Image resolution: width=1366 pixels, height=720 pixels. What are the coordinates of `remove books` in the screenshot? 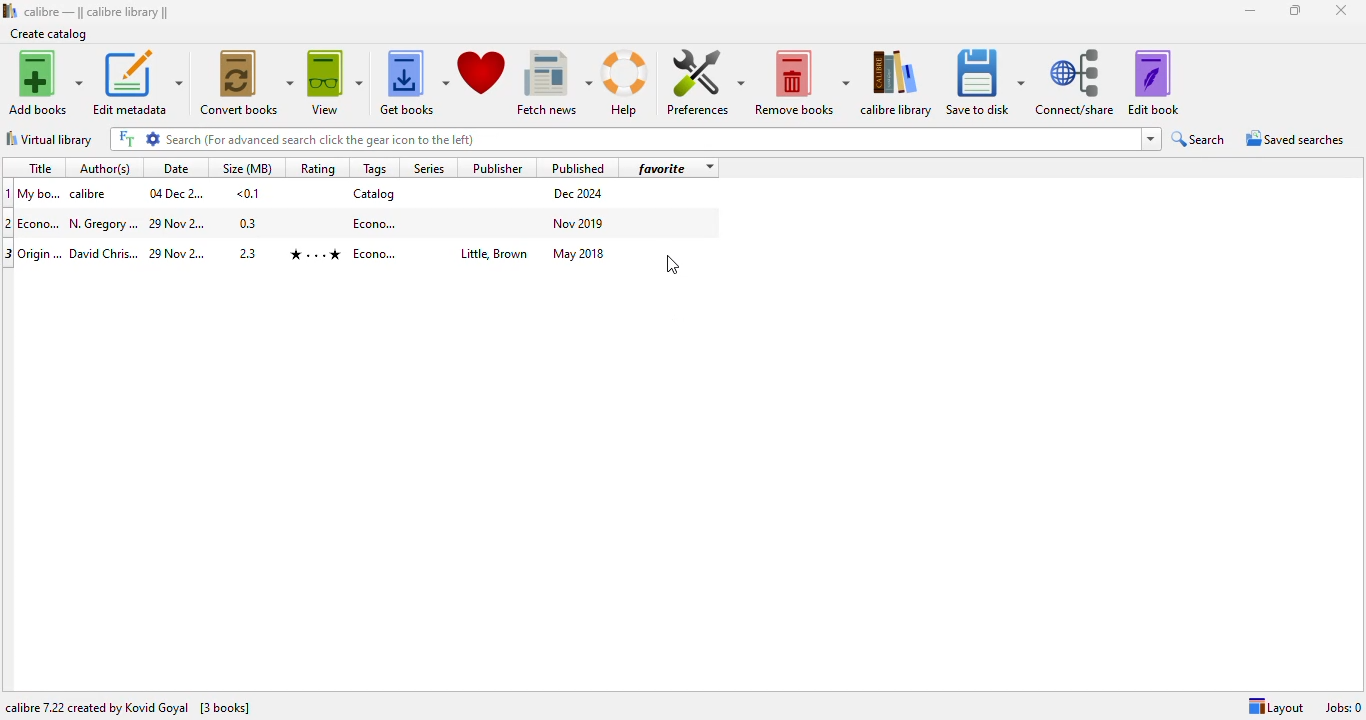 It's located at (802, 83).